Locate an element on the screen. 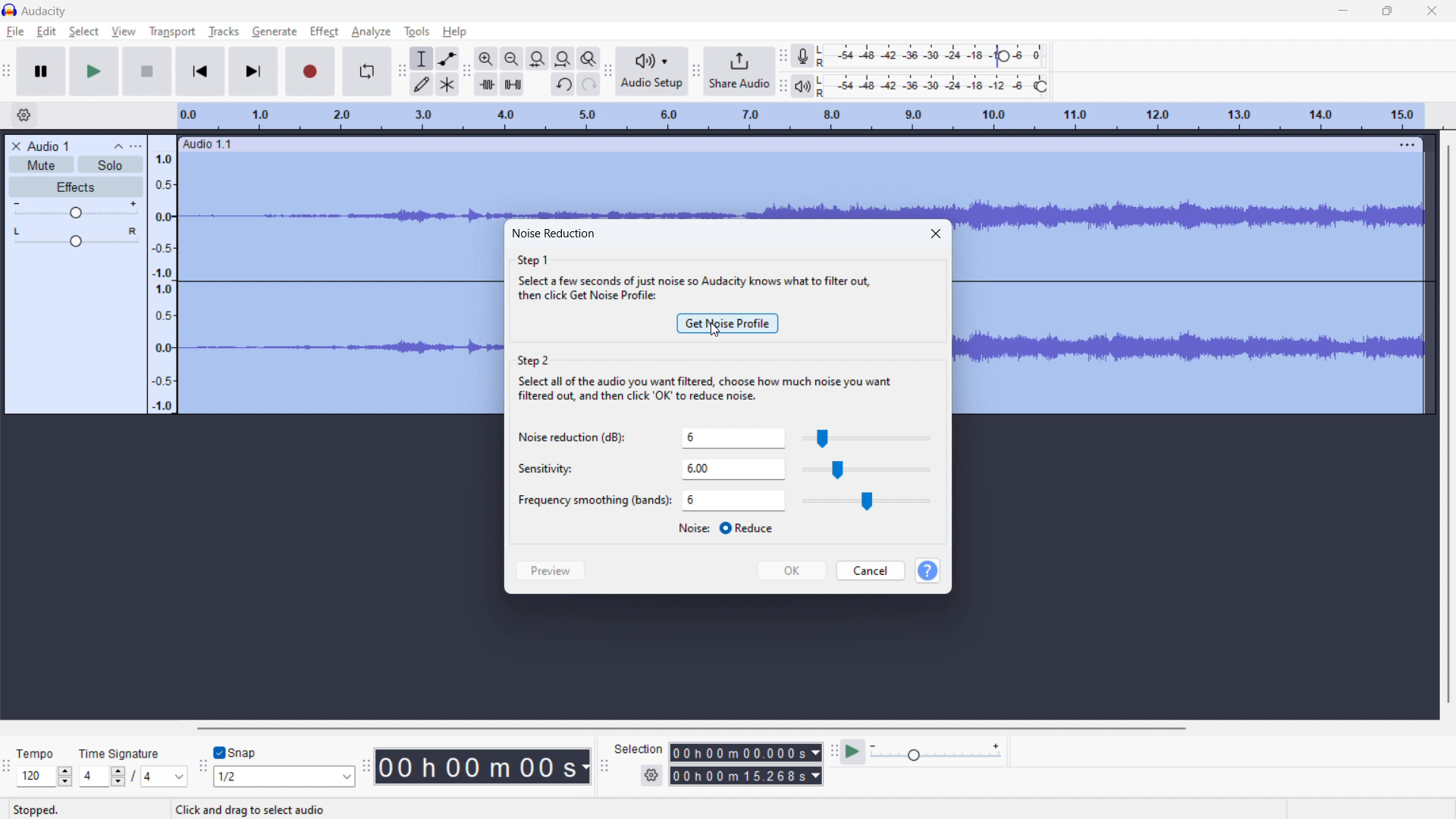  audio setup is located at coordinates (651, 71).